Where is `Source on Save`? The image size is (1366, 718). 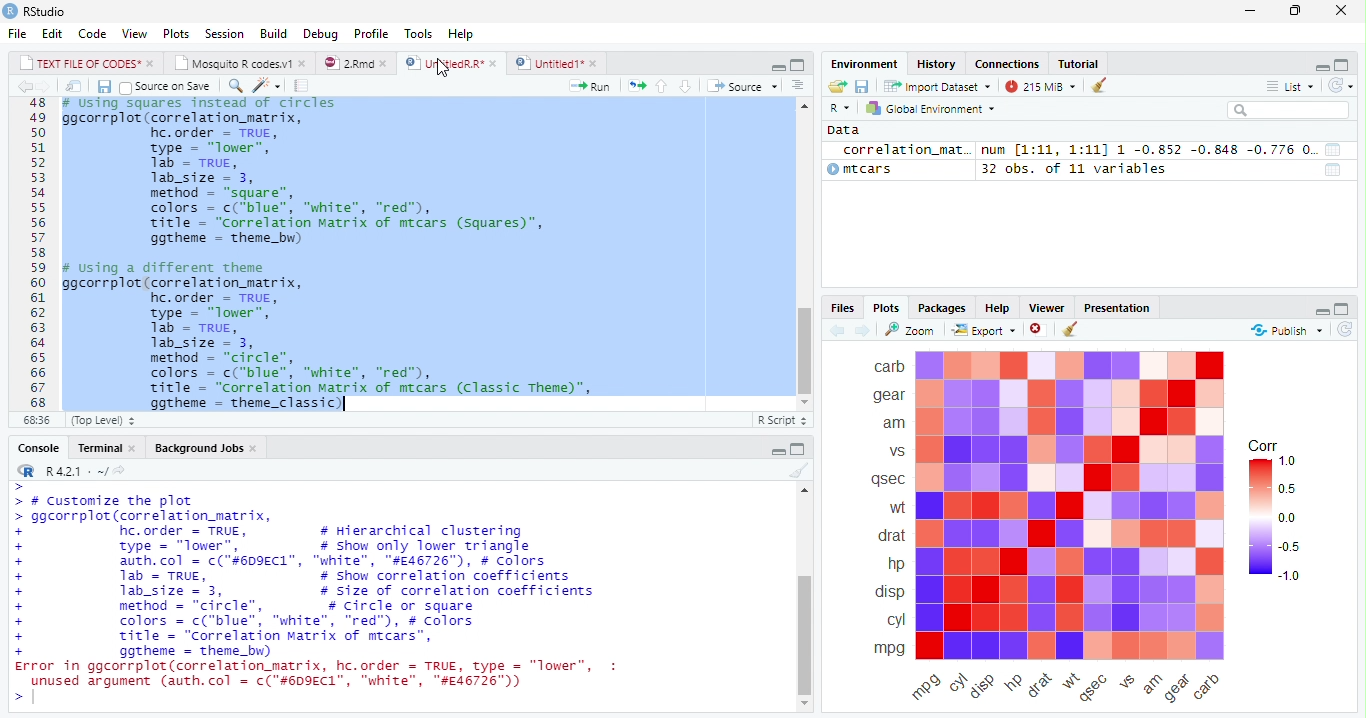 Source on Save is located at coordinates (167, 87).